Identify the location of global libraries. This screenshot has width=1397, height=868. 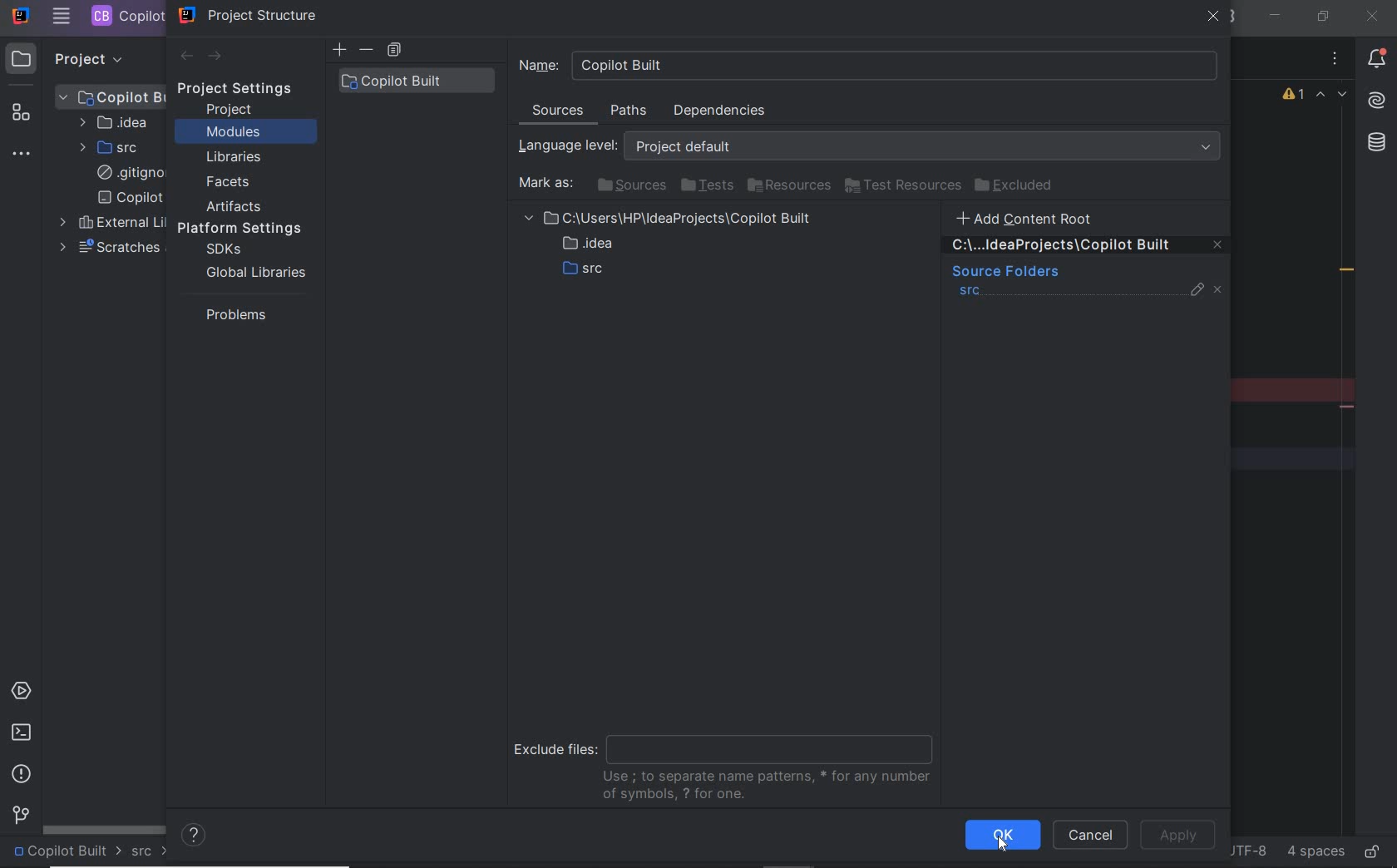
(253, 272).